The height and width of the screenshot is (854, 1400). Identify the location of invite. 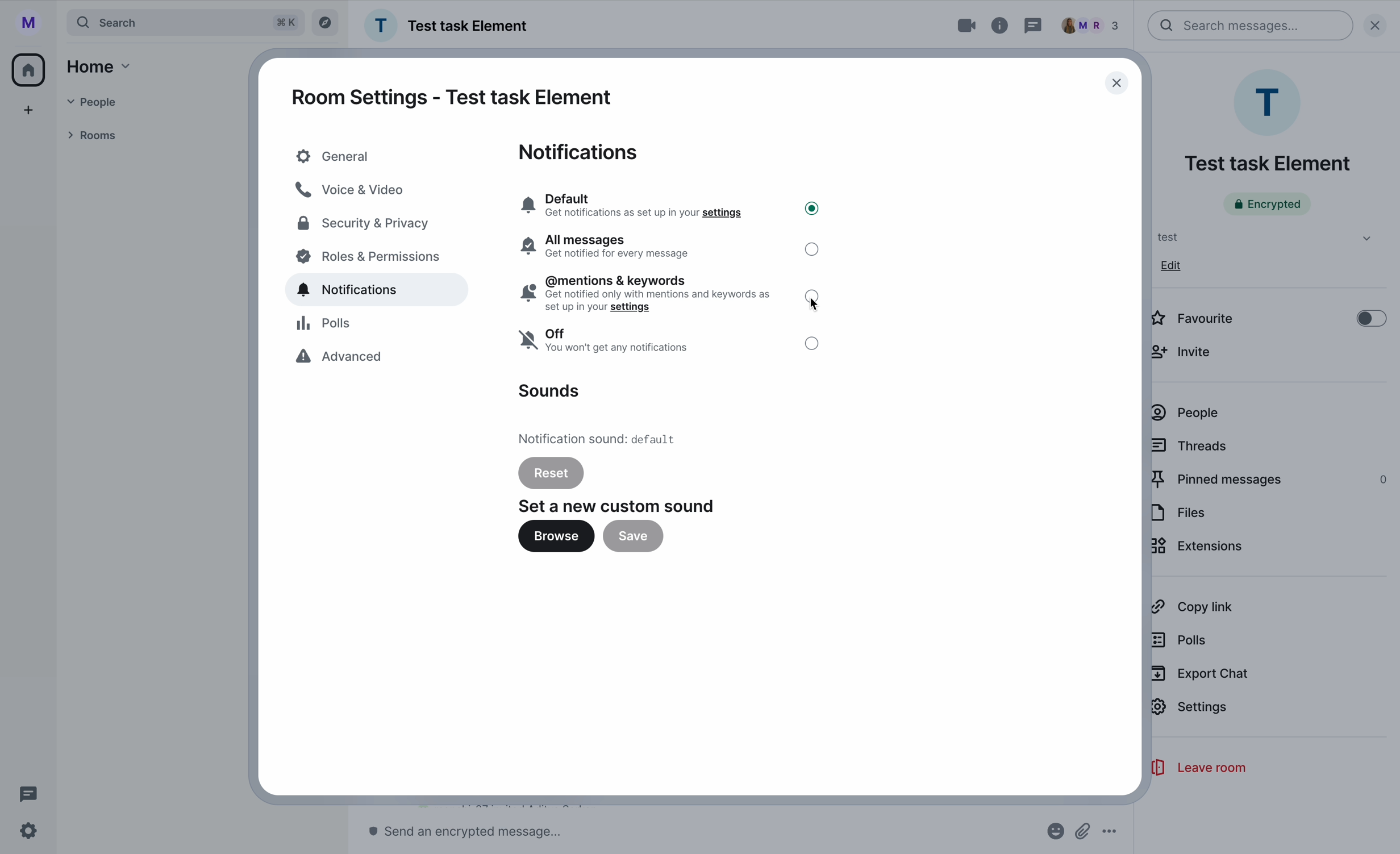
(1186, 351).